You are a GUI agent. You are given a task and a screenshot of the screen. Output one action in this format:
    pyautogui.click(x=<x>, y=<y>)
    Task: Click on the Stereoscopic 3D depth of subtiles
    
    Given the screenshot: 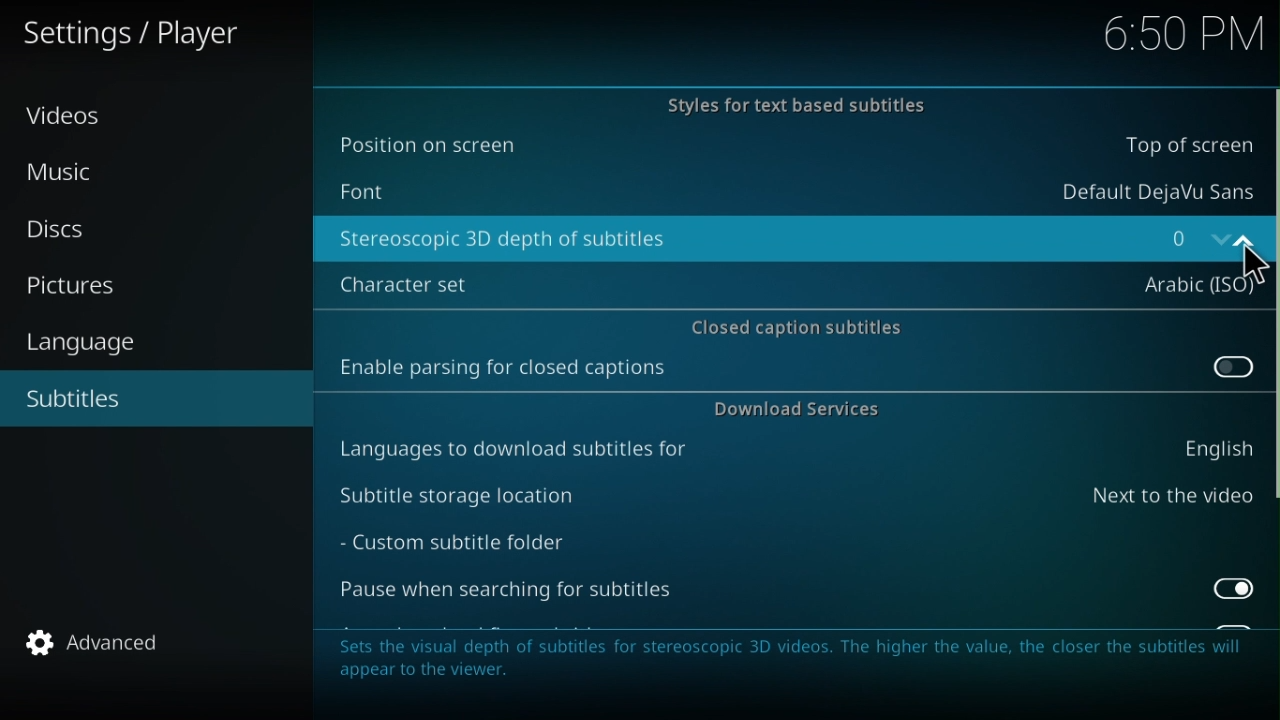 What is the action you would take?
    pyautogui.click(x=726, y=238)
    